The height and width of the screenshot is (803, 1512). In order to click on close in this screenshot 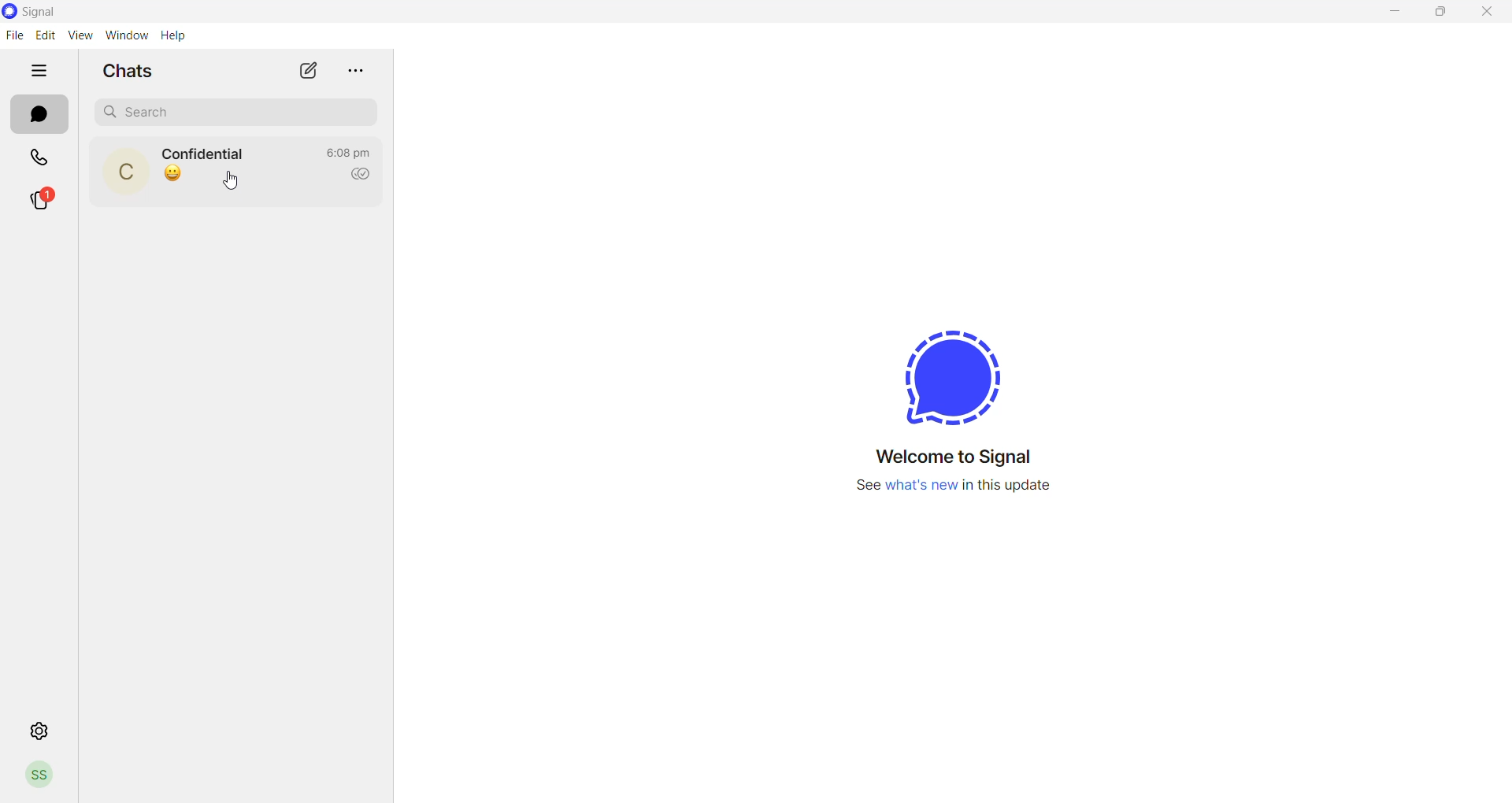, I will do `click(1493, 12)`.